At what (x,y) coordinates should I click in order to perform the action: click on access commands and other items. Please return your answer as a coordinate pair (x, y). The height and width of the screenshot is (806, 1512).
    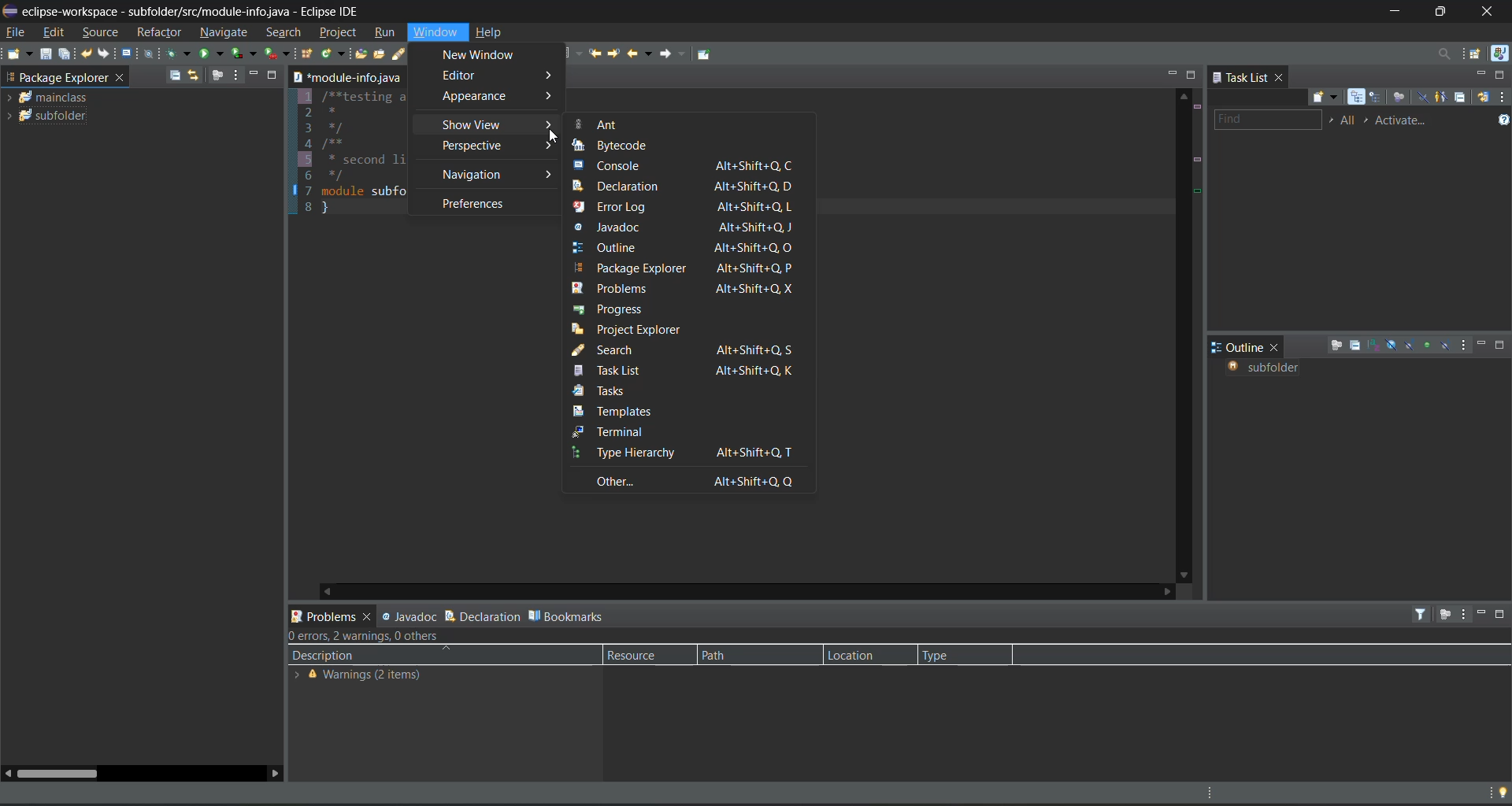
    Looking at the image, I should click on (1444, 54).